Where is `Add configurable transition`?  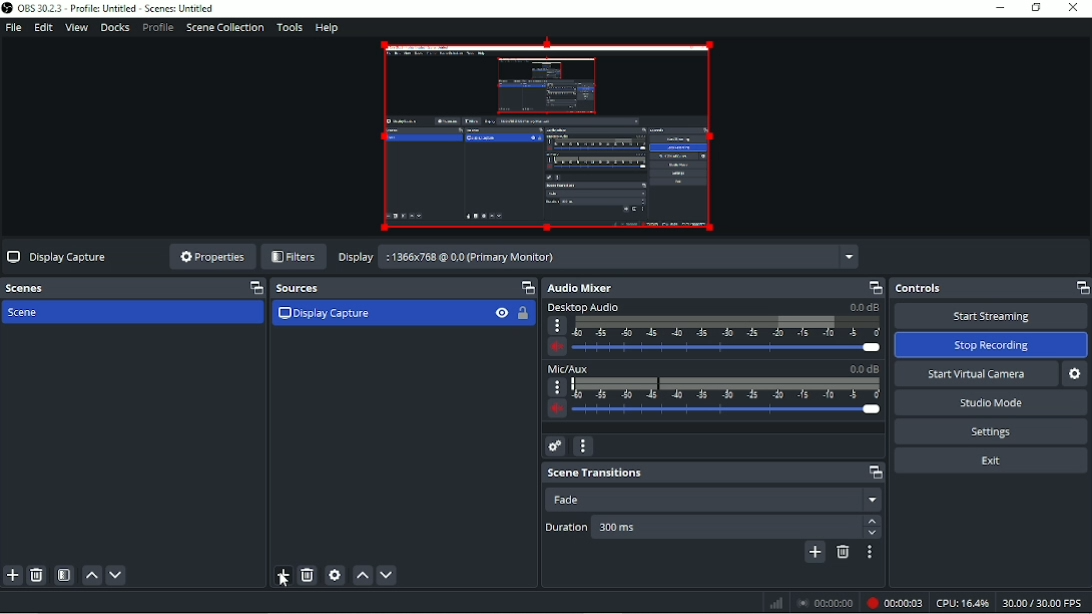
Add configurable transition is located at coordinates (814, 553).